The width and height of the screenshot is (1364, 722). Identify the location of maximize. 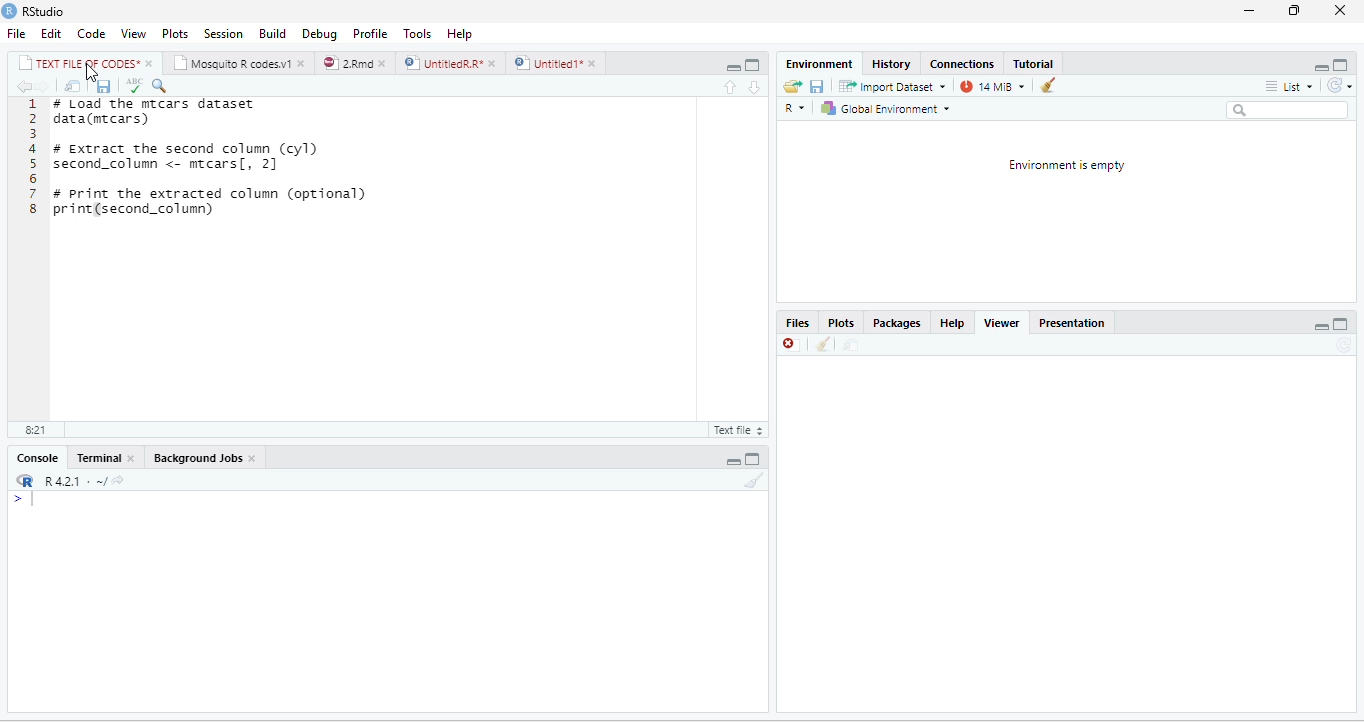
(1343, 323).